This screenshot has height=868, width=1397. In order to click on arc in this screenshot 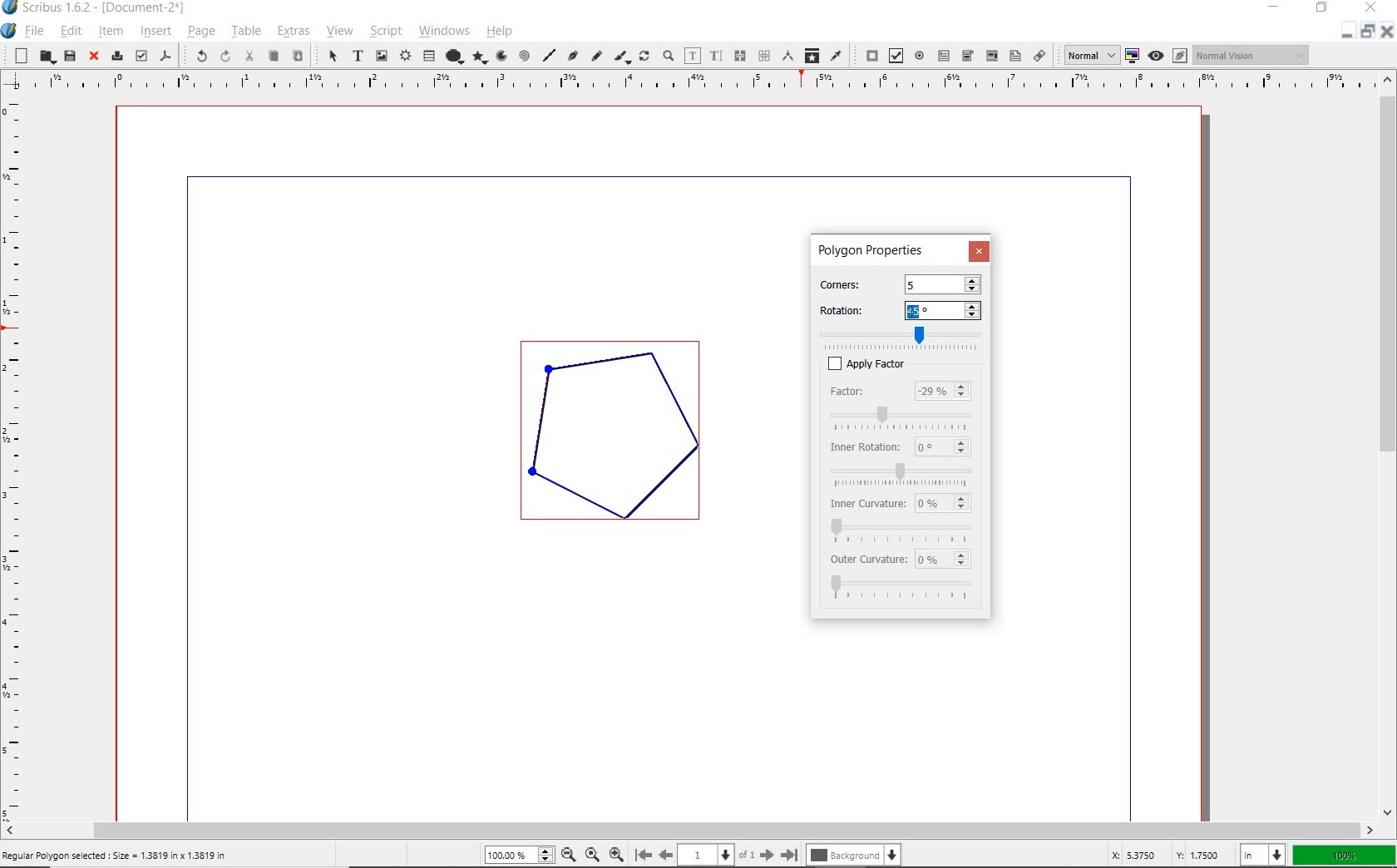, I will do `click(501, 57)`.